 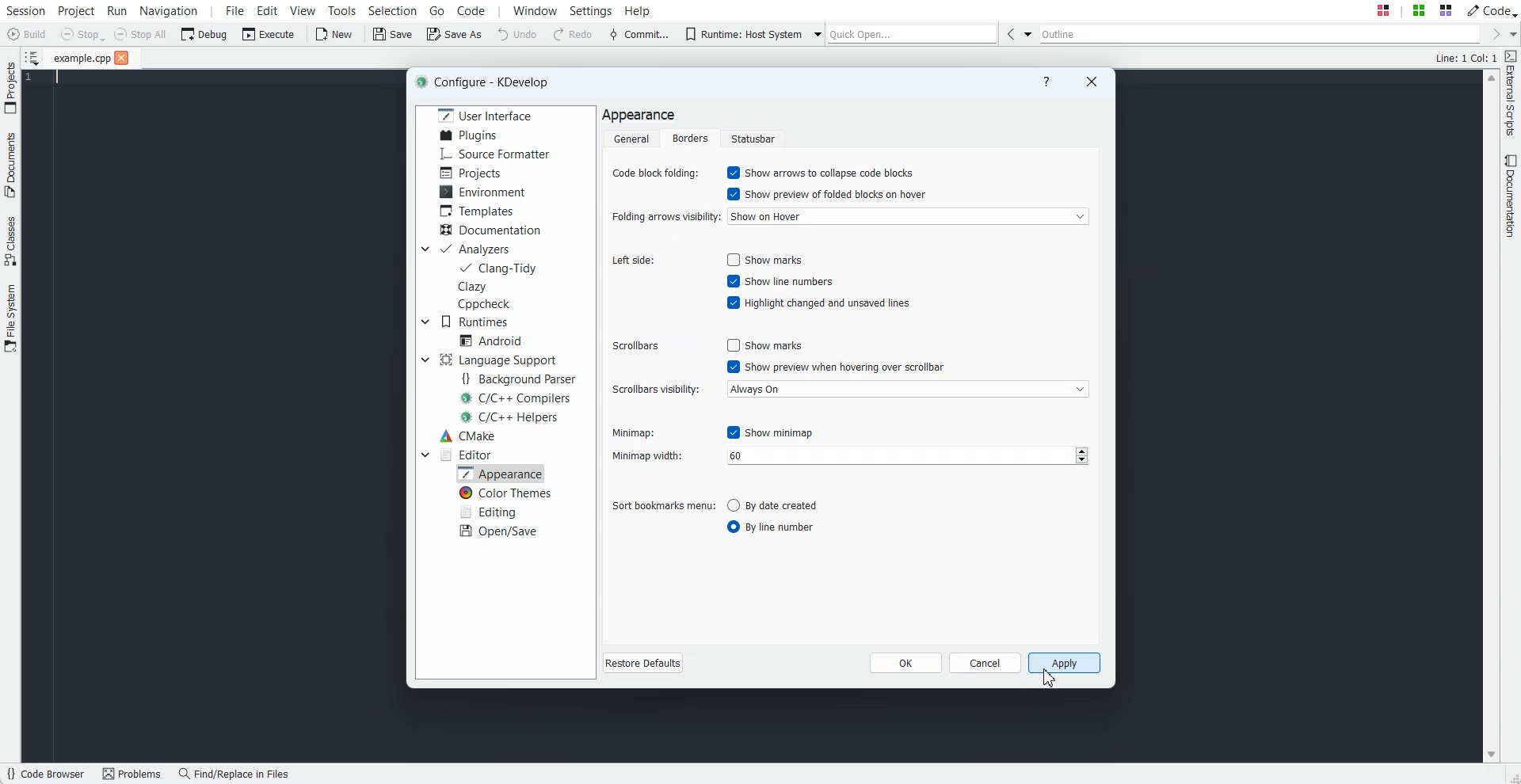 I want to click on Project, so click(x=75, y=10).